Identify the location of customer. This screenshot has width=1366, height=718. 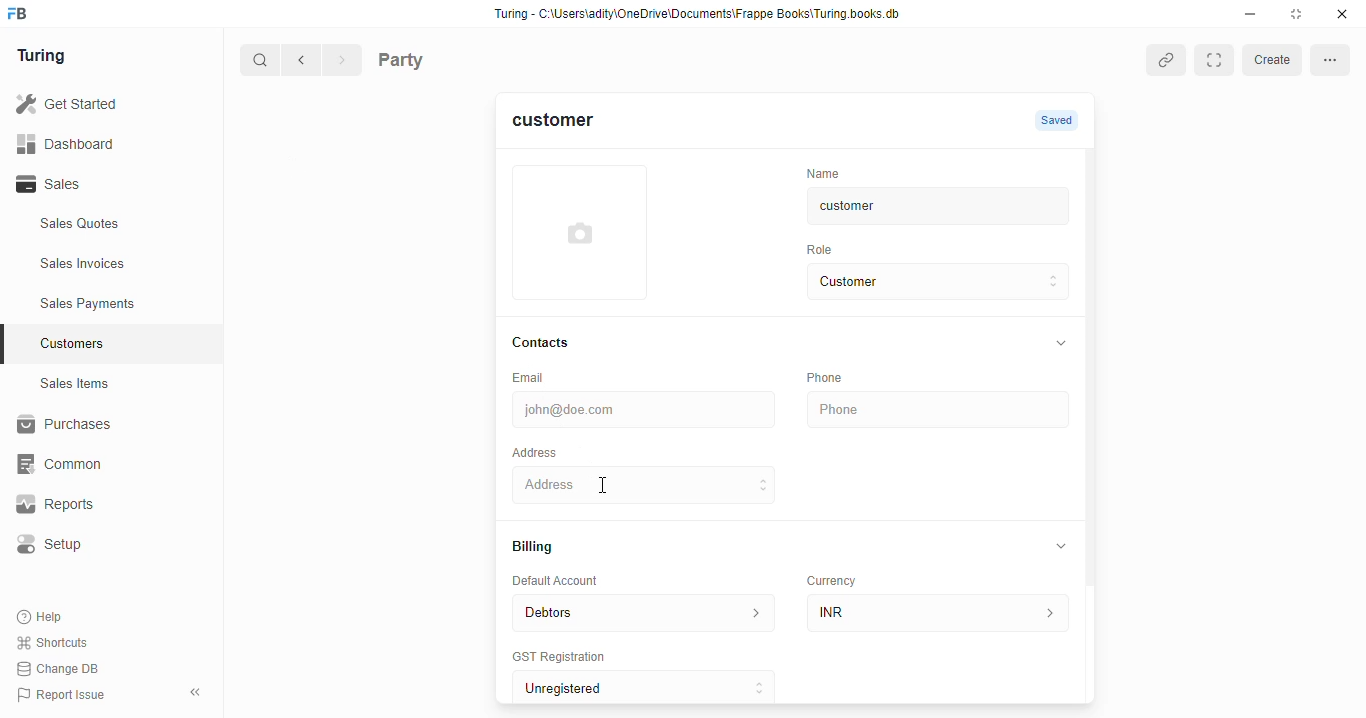
(915, 209).